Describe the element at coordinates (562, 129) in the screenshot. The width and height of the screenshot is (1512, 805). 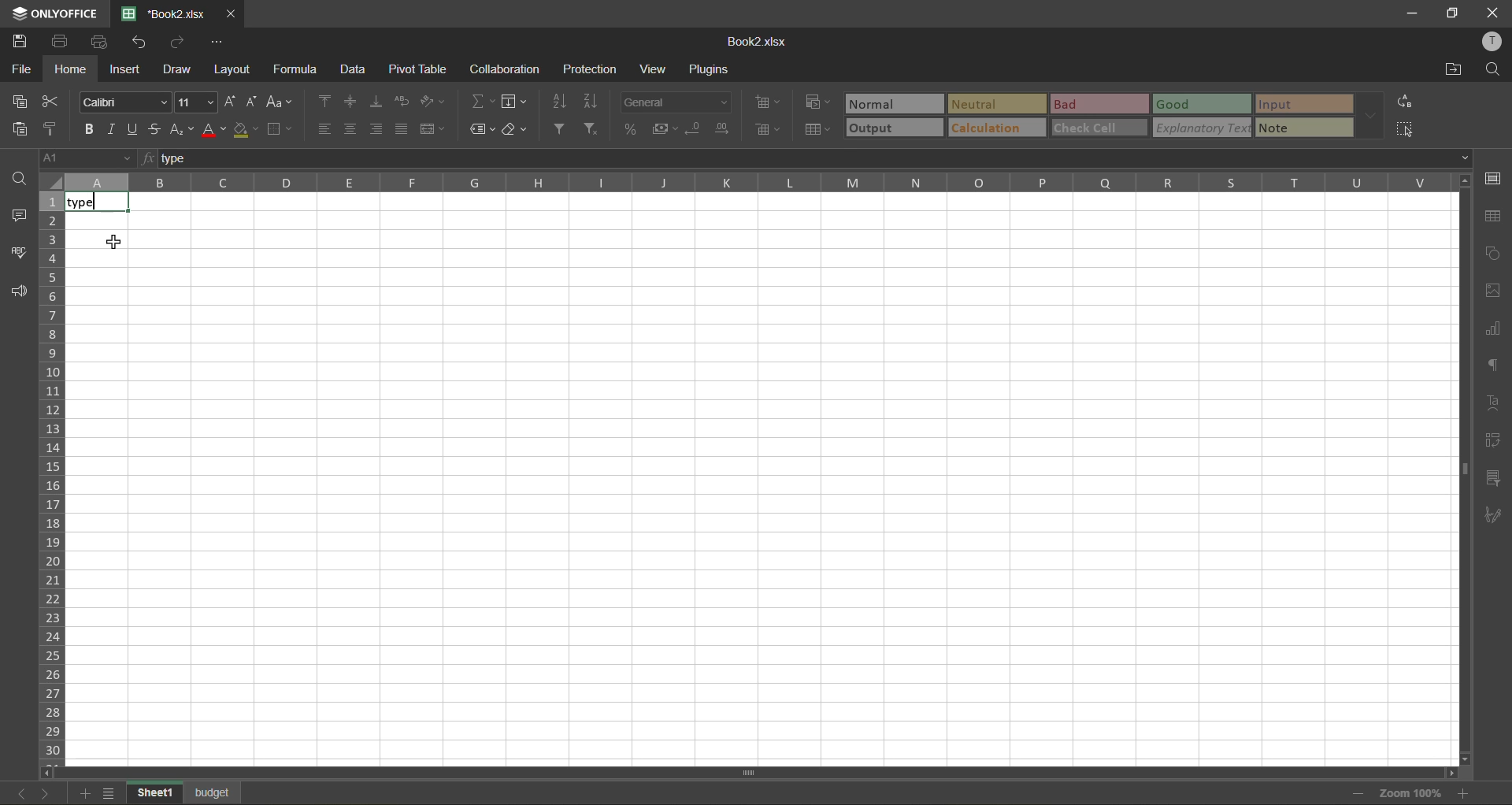
I see `filter` at that location.